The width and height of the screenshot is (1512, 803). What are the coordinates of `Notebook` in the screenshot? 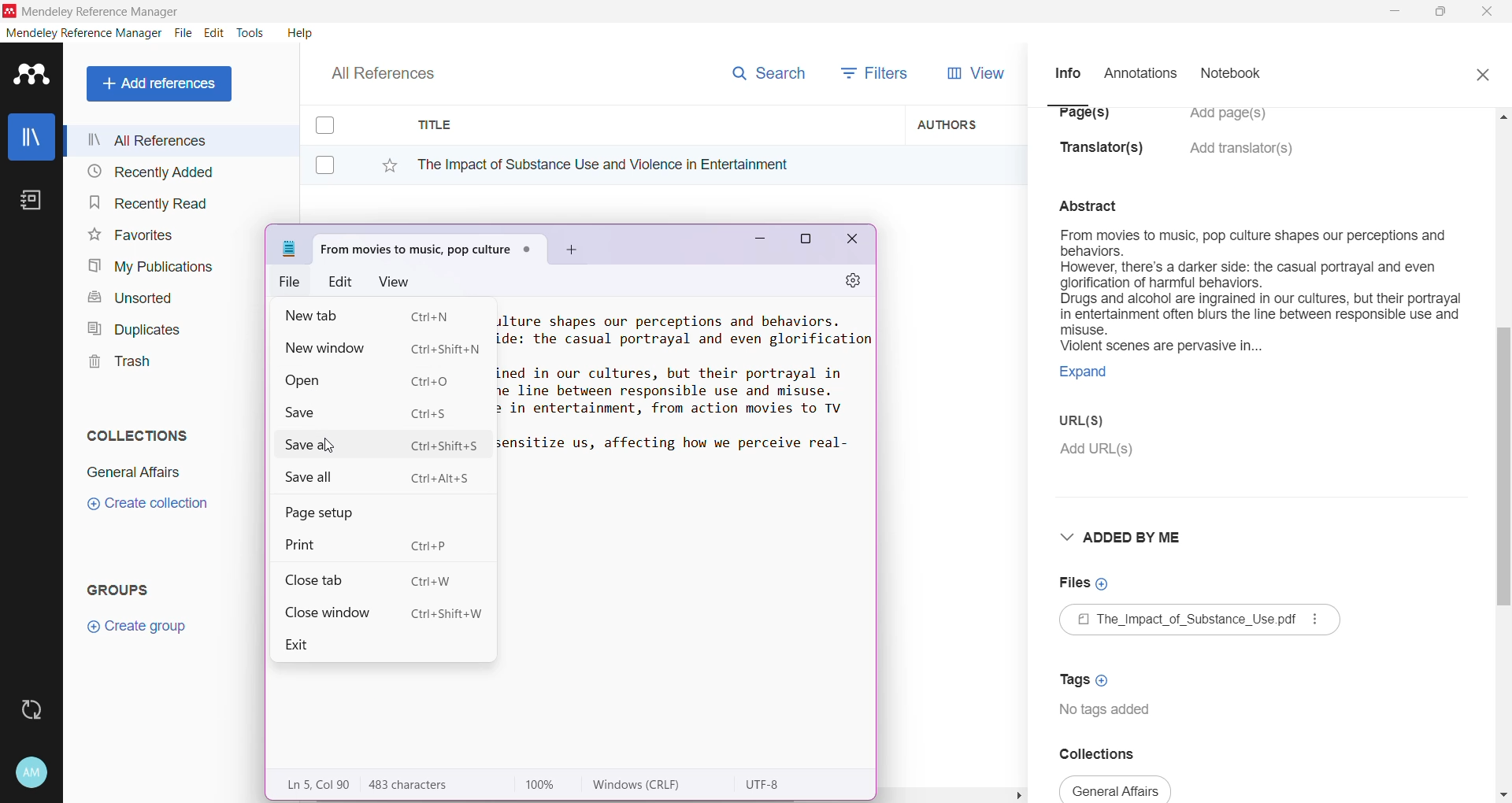 It's located at (1236, 75).